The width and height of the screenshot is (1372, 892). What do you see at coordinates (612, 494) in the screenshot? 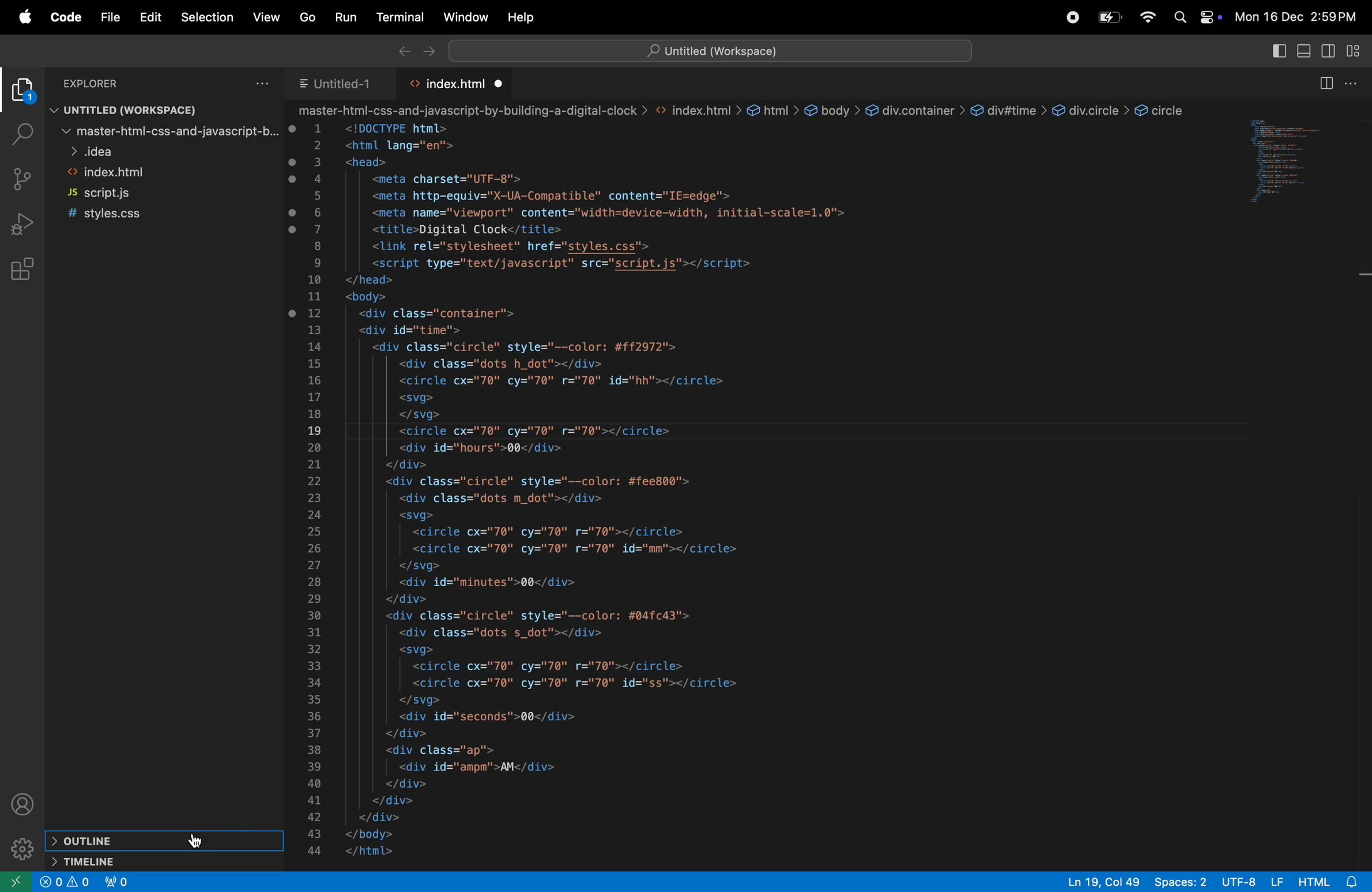
I see `<html lang="en">
<head>
<meta charset="UTF-8">
<meta http-equiv="X-UA-Compatible" content="IE=edge">
<meta name="viewport" content="width=device-width, initial-scale=1.0">
<title>Digital Clock</title>
<link rel="stylesheet" href="styles.css">
<script type="text/javascript" src="script.js"></script>
</head>
<body>
<div class="container">
<div id="time">
<div class="circle" style="--color: #ff2972">
<div class="dots h_dot"></div>
<circle cx="70" cy="70" r="70" id="hh"></circle>
<svg>
</svg>
<circle cx="70" cy="70" r="70"></circle>
<div id="hours">00</div>
</div>
<div class="circle" style="--color: #fee800">
<div class="dots m_dot"></div>
<svg>
<circle cx="70" cy="70" r="70"></circle>
<circle cx="70" cy="70" r="70" id="mm"></circle>
</svg>
<div id="minutes">00</div>
</div>
<div class="circle" style="--color: #04fc43">
<div class="dots s_dot"></div>
<svg>
<circle cx="70" cy="70" r="70"></circle>
<circle cx="70" cy="70" r="70" id="ss"></circle>
</svg>
<div id="seconds">00</div>
</div>
<div class="ap">
<div id="ampm">AM</div>
</div>
</div>
</div>
</body>
</html>` at bounding box center [612, 494].